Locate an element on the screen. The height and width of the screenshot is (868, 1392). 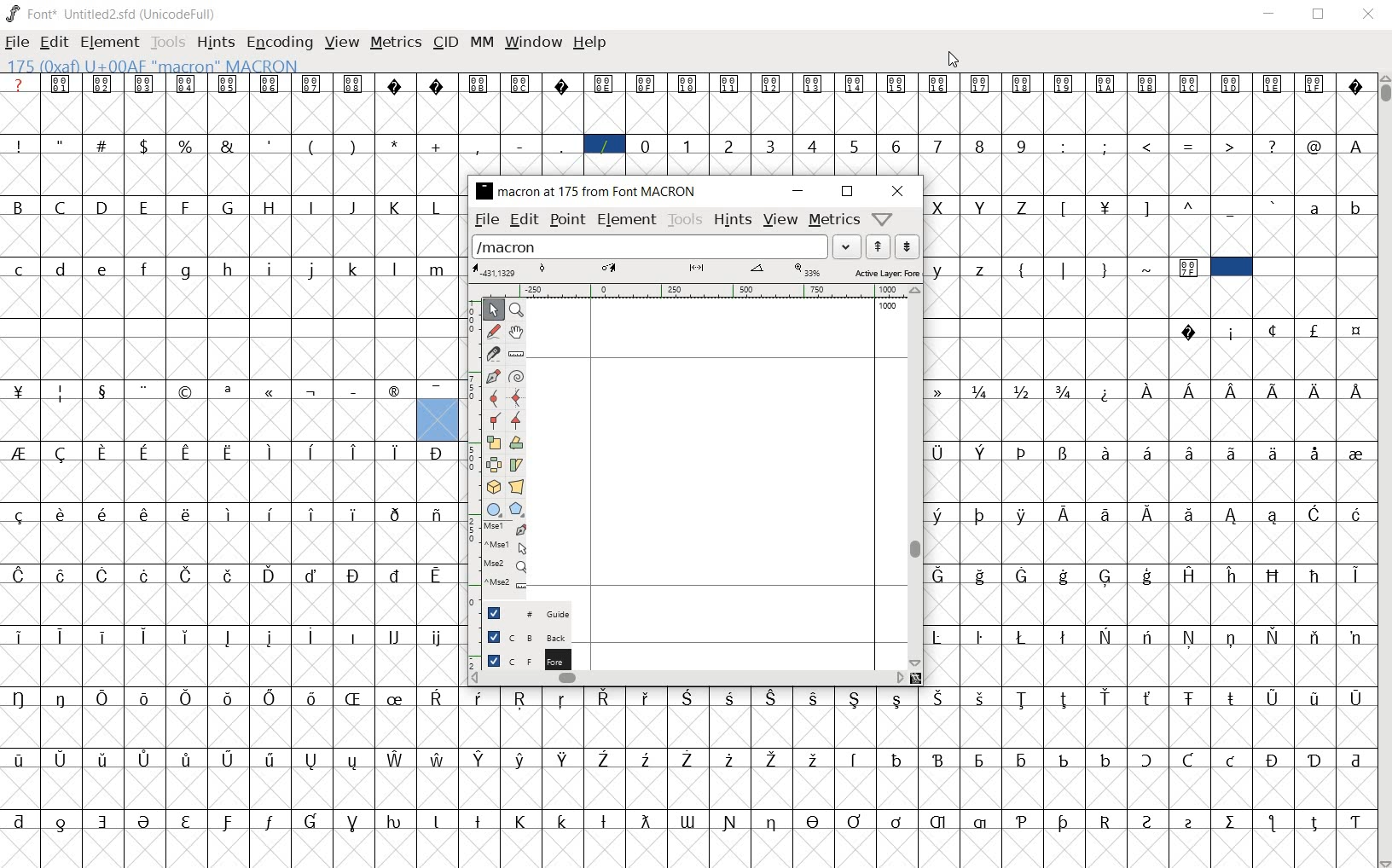
i is located at coordinates (270, 268).